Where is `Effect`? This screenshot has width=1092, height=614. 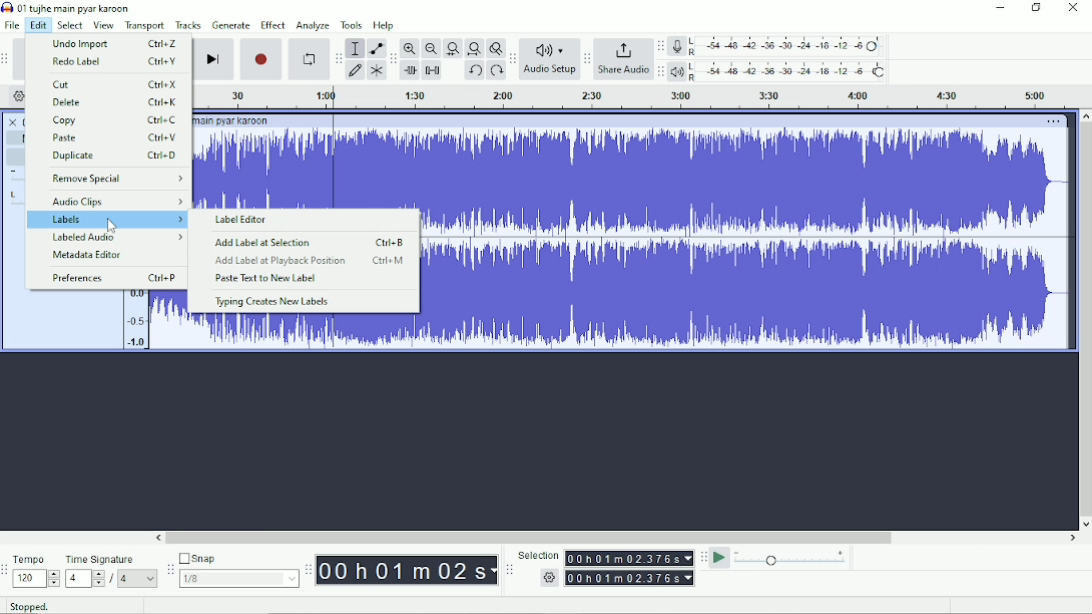 Effect is located at coordinates (273, 24).